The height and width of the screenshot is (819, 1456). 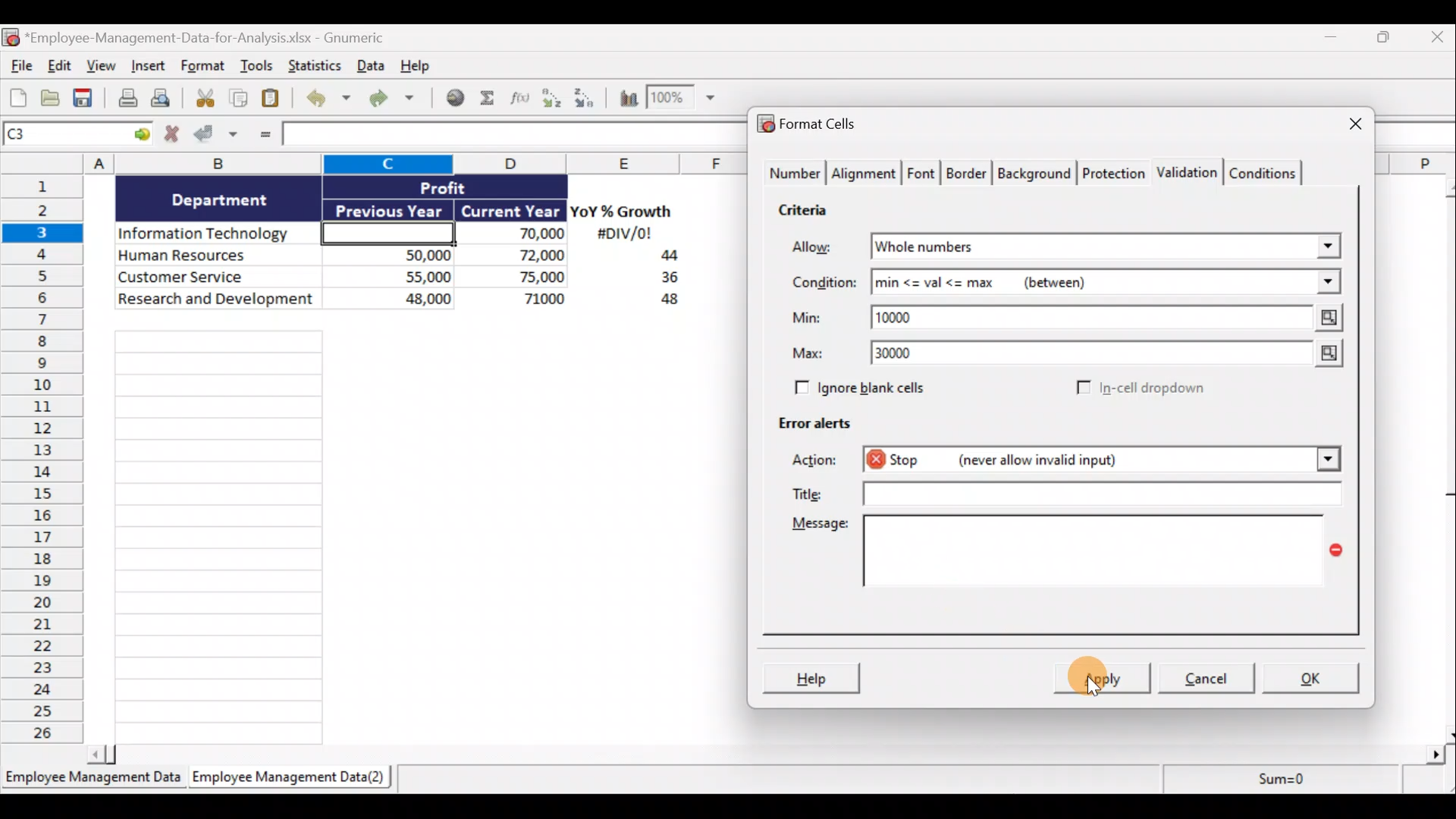 What do you see at coordinates (1038, 174) in the screenshot?
I see `Background` at bounding box center [1038, 174].